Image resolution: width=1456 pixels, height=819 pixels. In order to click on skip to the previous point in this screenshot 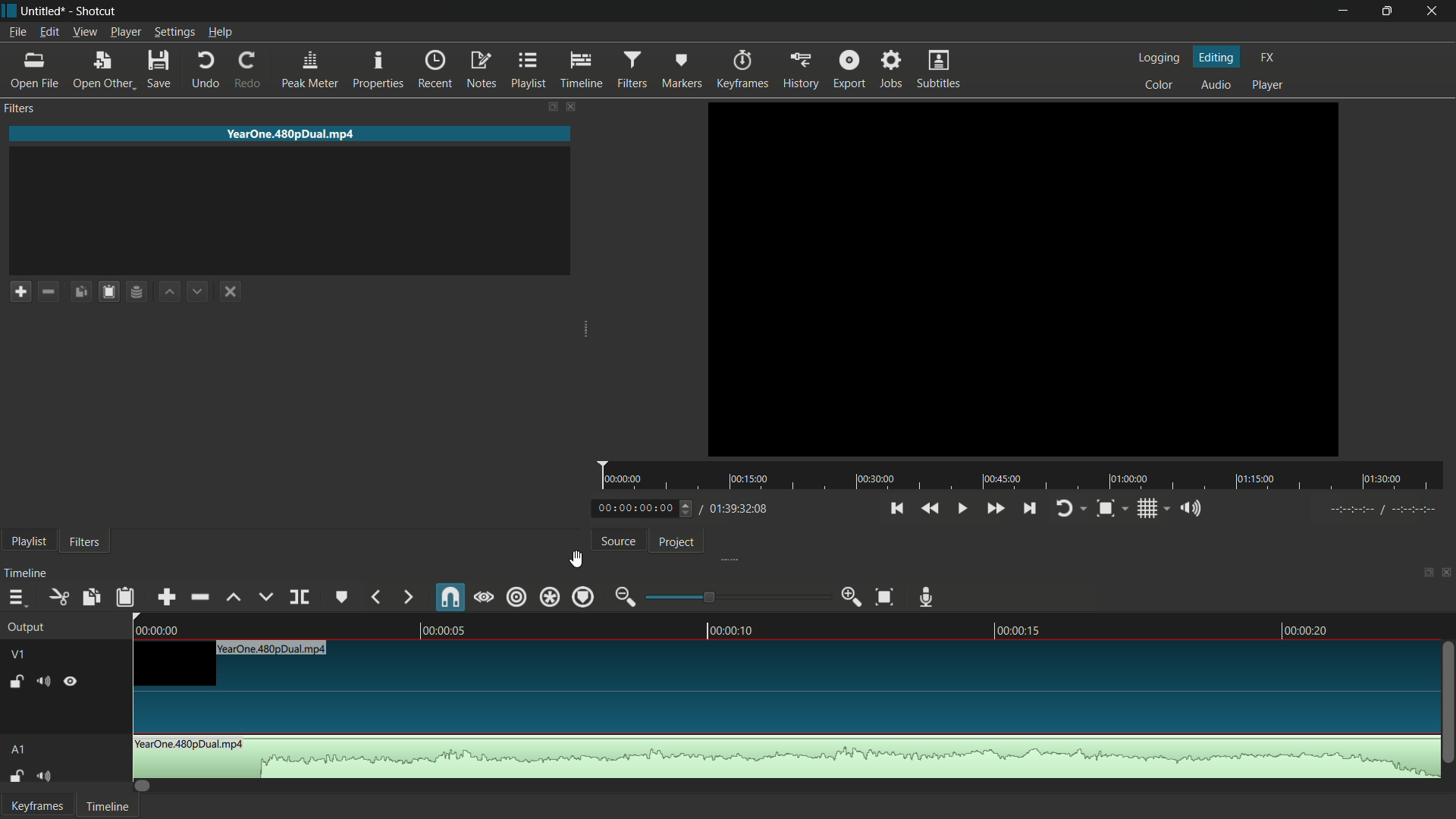, I will do `click(897, 509)`.